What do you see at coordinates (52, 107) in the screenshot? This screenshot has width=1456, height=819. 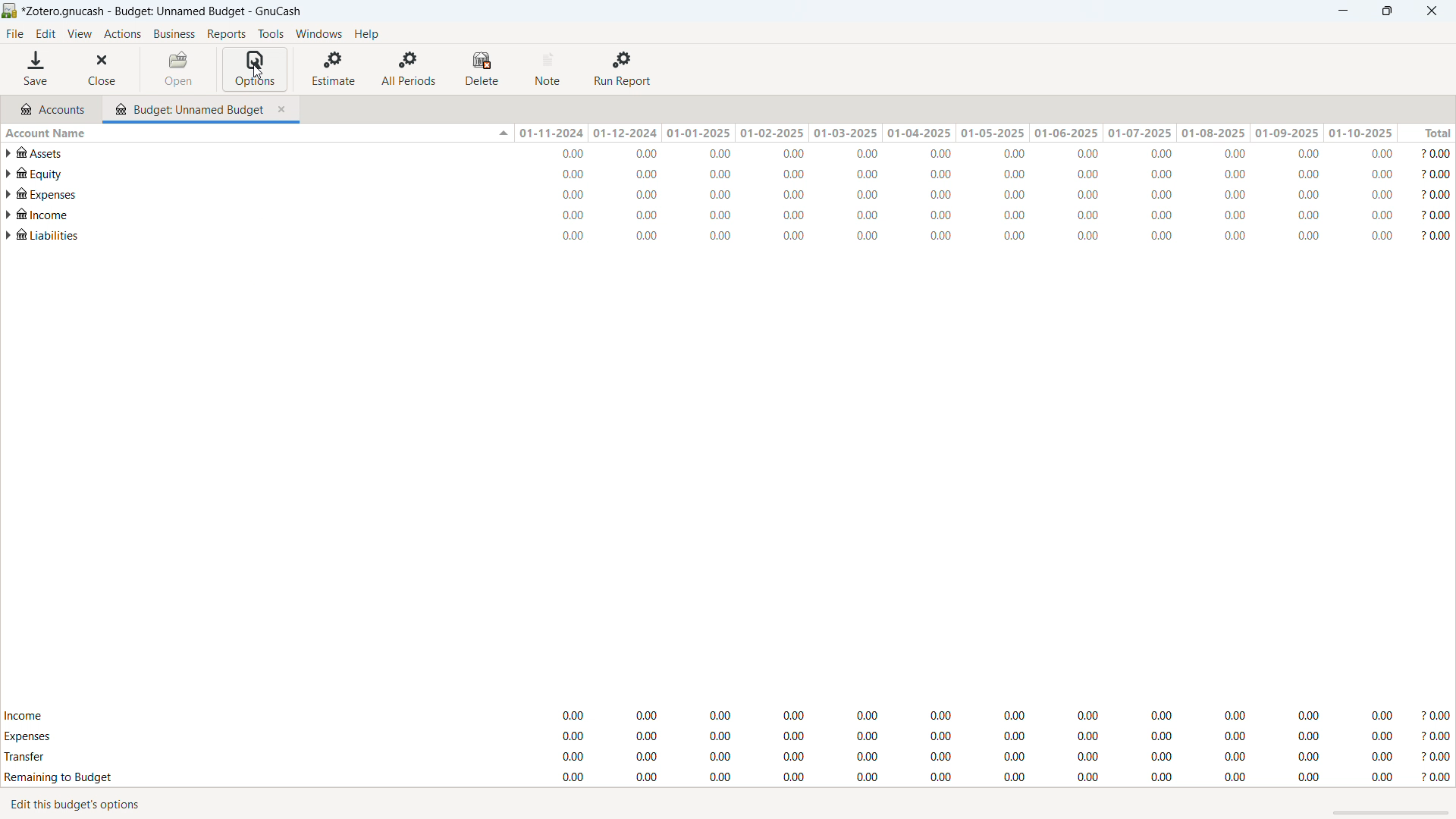 I see `accounts` at bounding box center [52, 107].